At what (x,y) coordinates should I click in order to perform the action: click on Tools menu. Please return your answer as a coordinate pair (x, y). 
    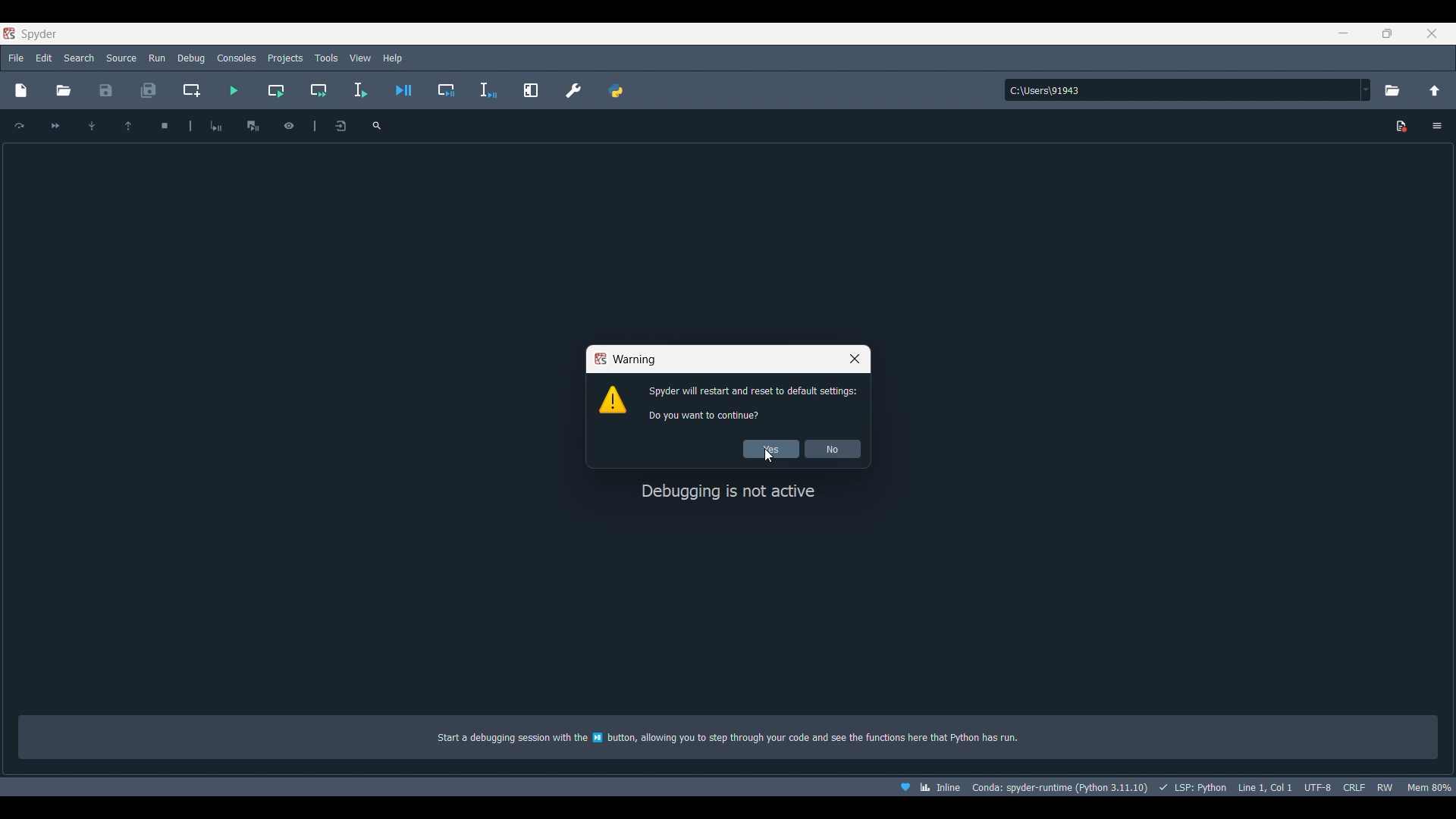
    Looking at the image, I should click on (327, 58).